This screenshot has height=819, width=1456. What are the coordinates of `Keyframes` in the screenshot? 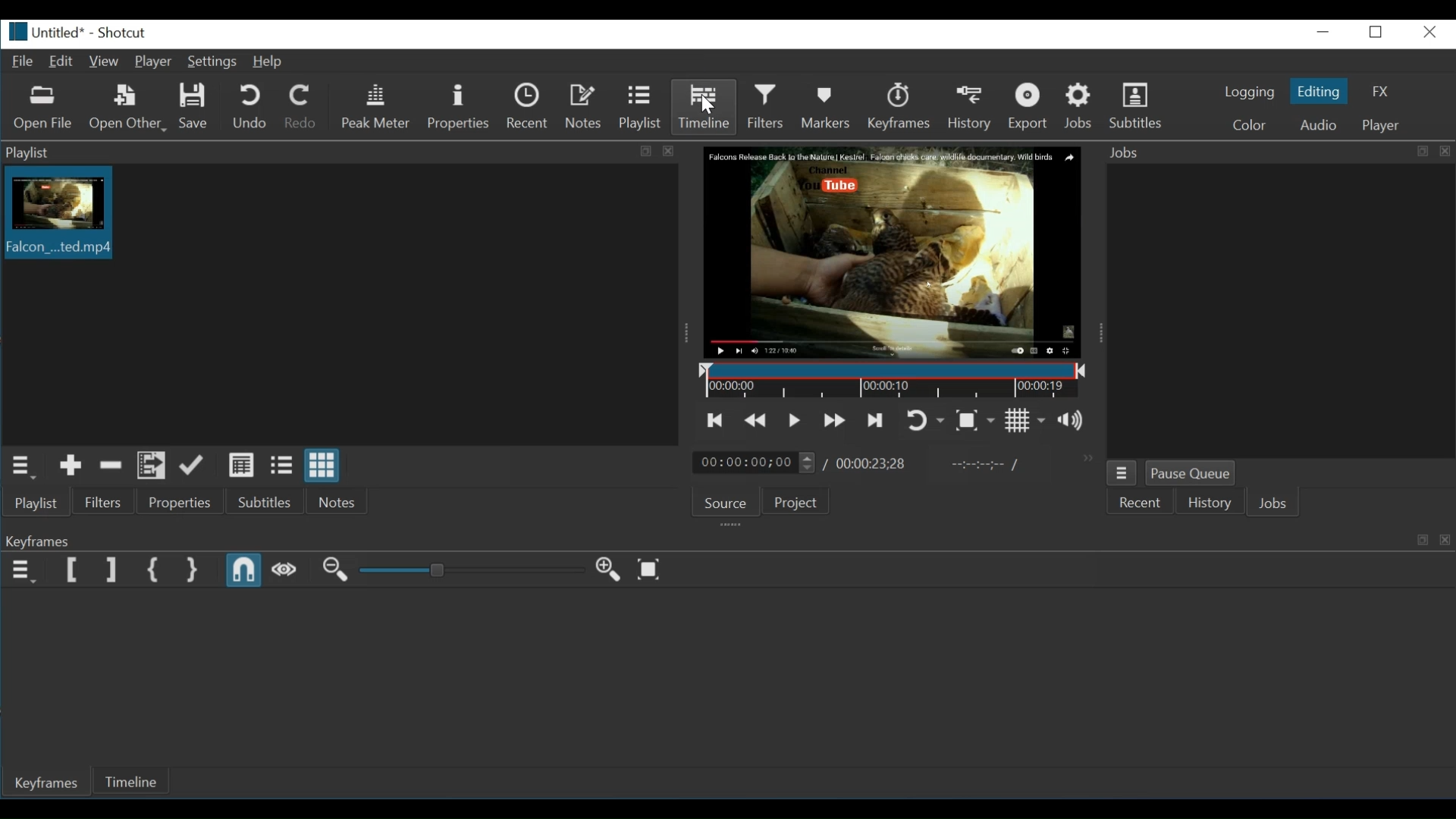 It's located at (903, 106).